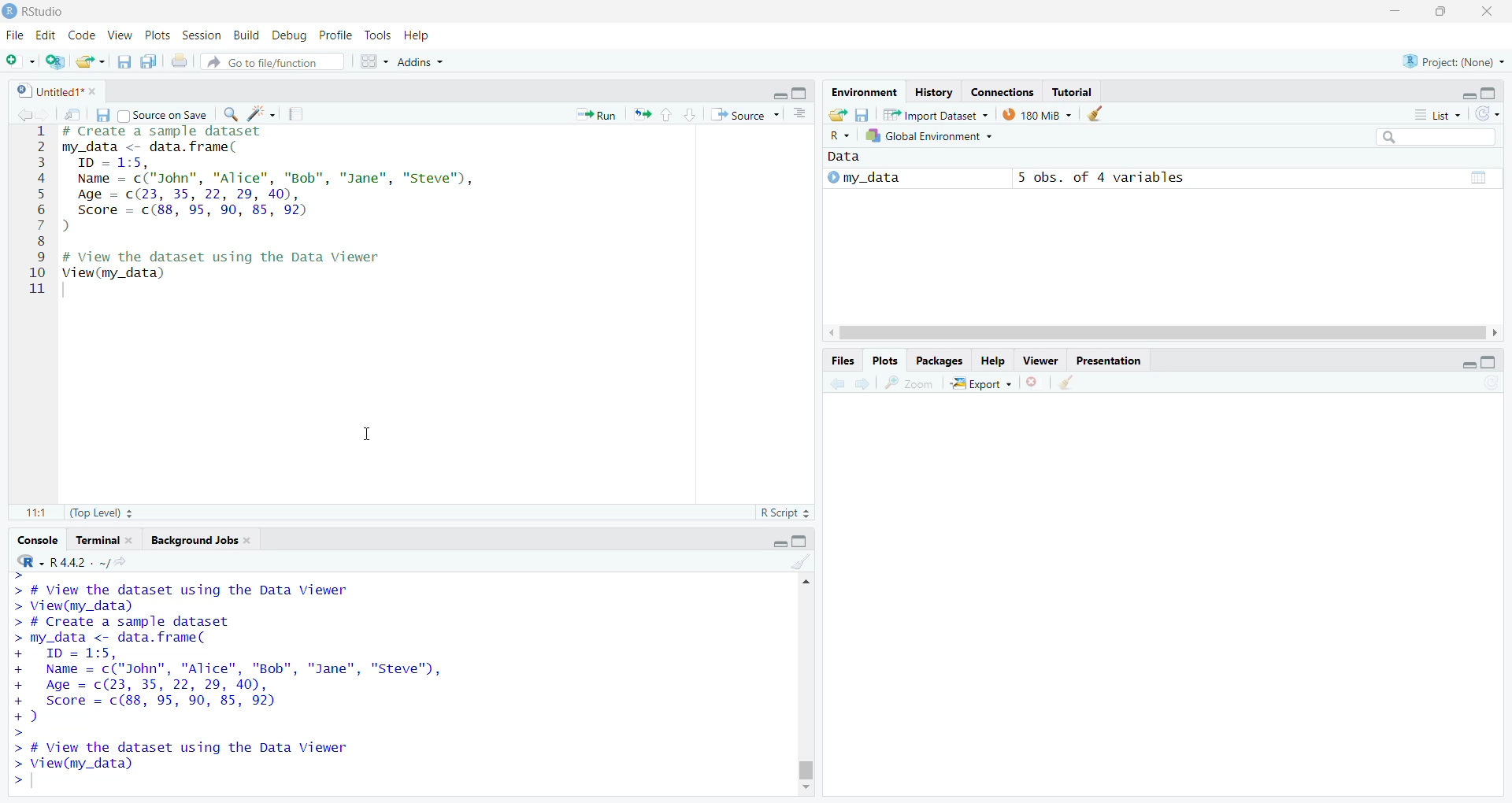  I want to click on Close, so click(1485, 12).